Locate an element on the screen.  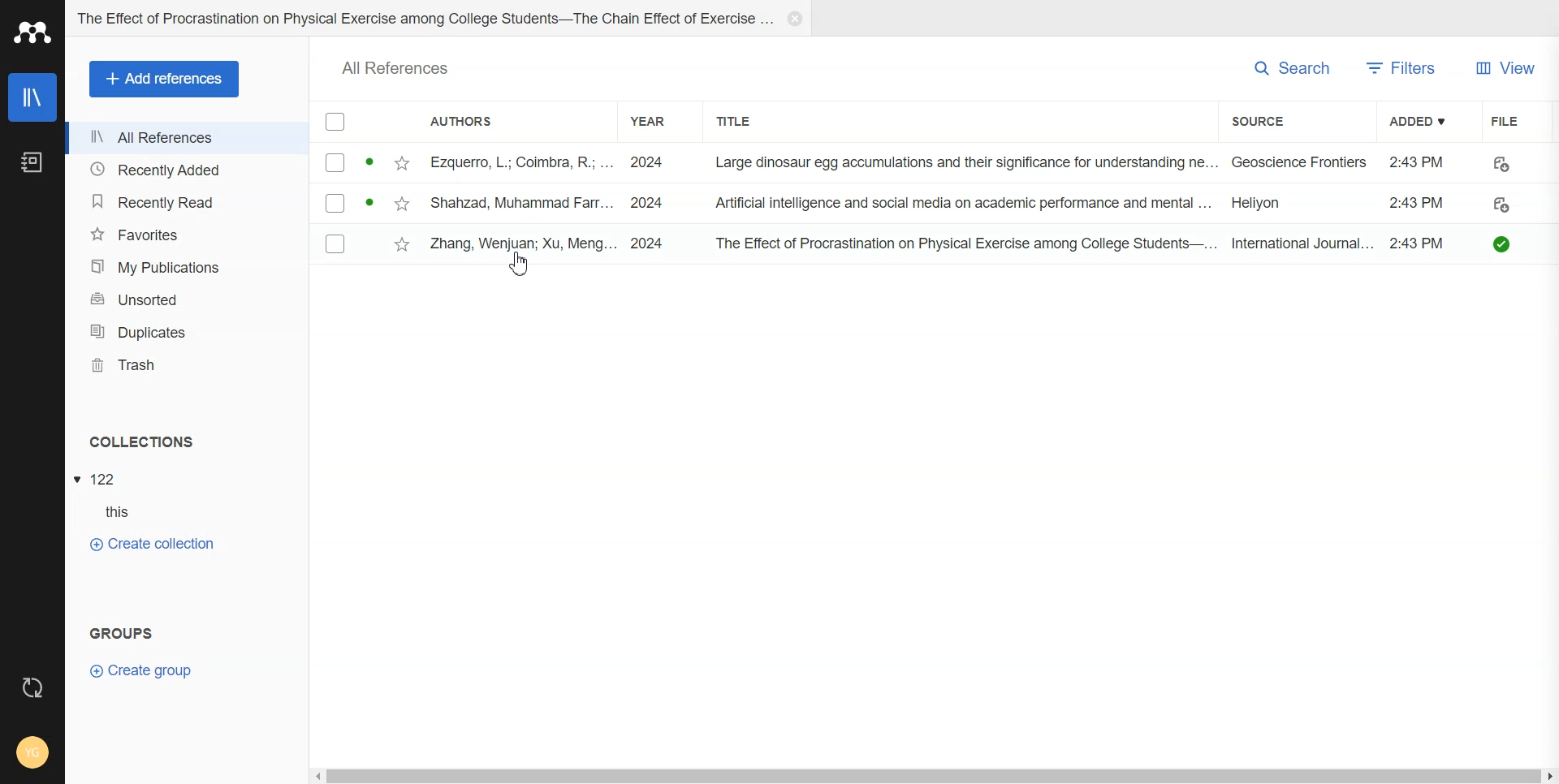
Create Group is located at coordinates (142, 672).